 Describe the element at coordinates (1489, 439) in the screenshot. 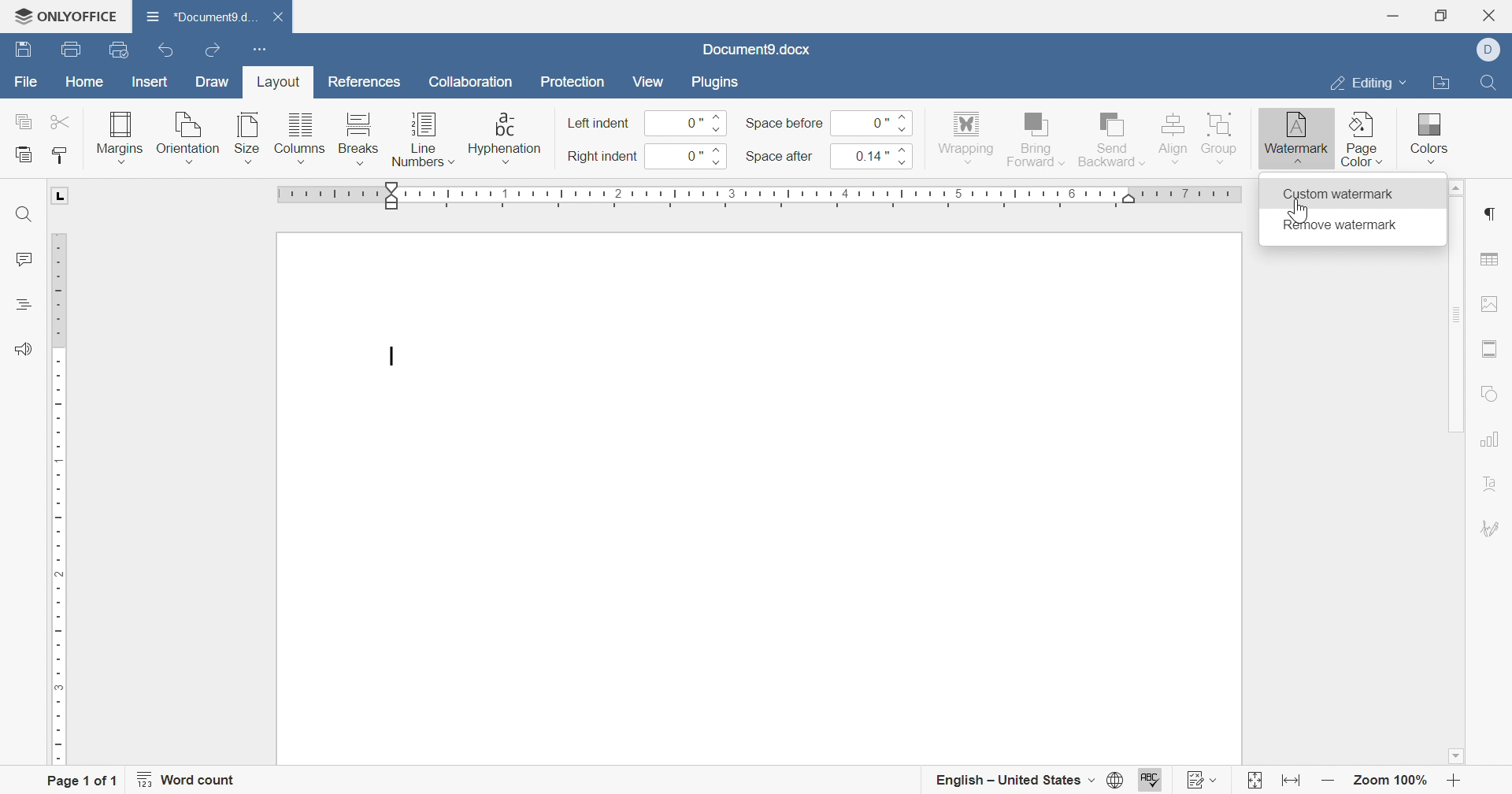

I see `chart settings` at that location.